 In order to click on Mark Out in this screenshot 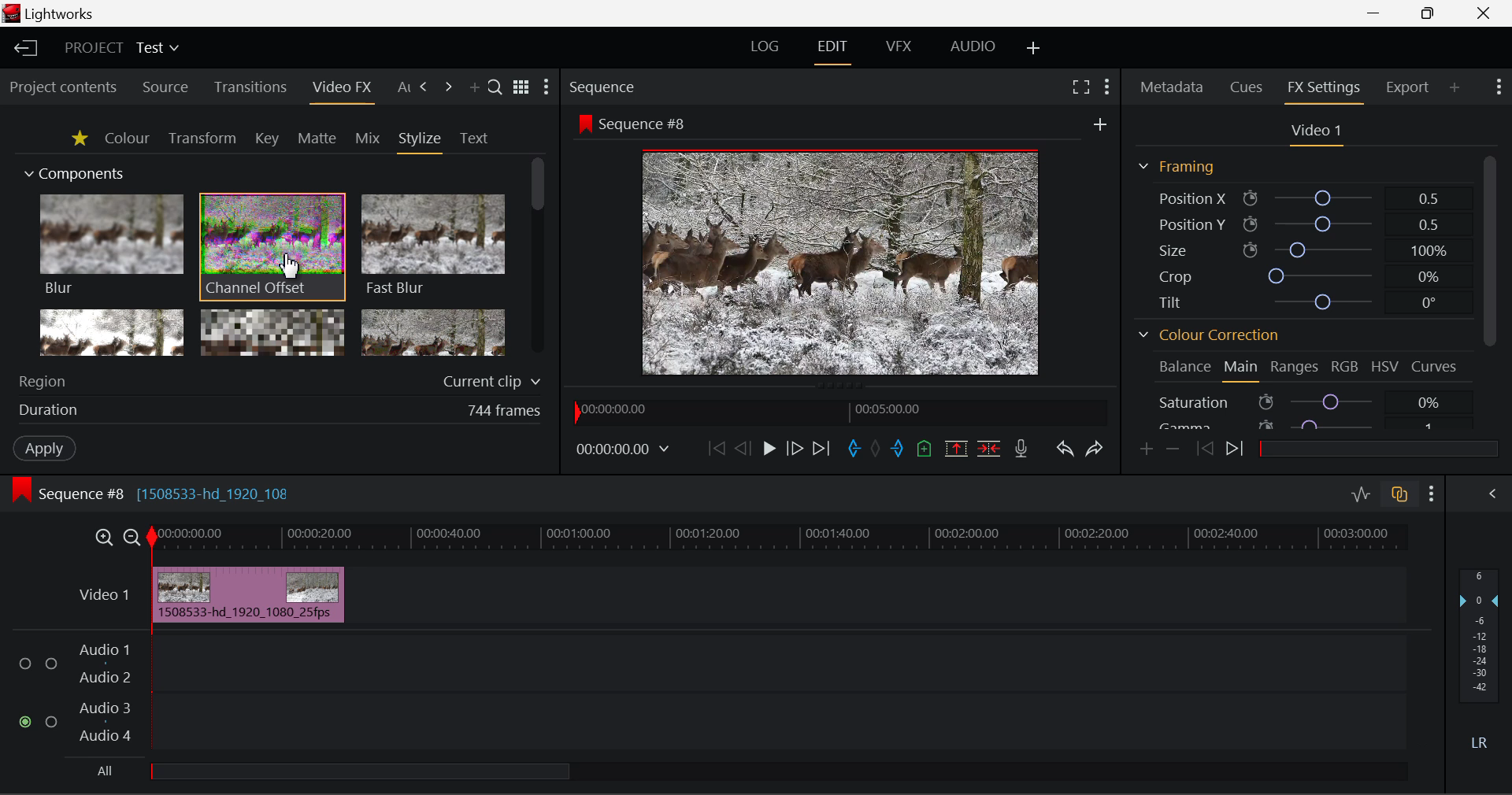, I will do `click(896, 449)`.